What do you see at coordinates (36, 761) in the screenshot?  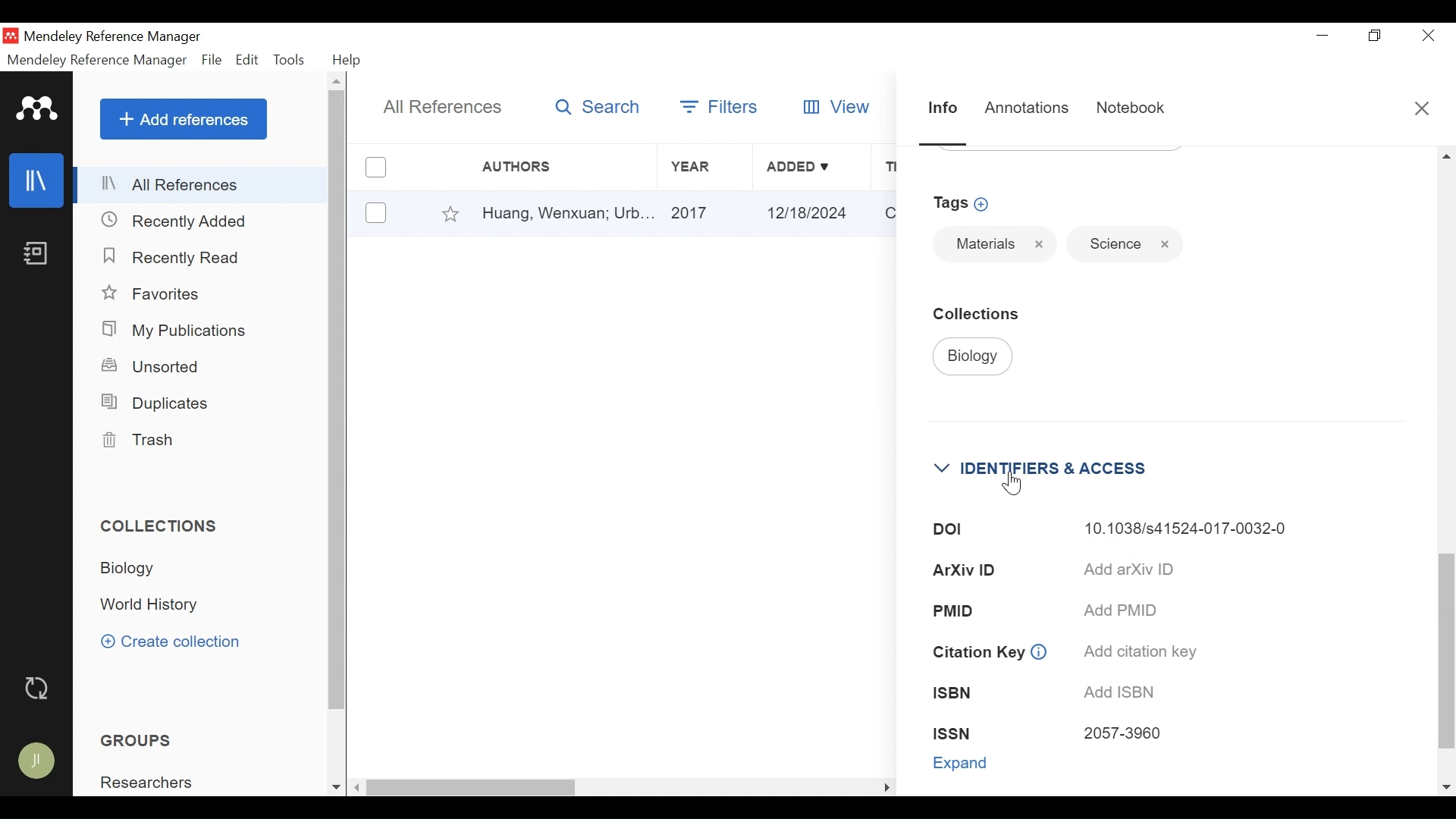 I see `Avatar` at bounding box center [36, 761].